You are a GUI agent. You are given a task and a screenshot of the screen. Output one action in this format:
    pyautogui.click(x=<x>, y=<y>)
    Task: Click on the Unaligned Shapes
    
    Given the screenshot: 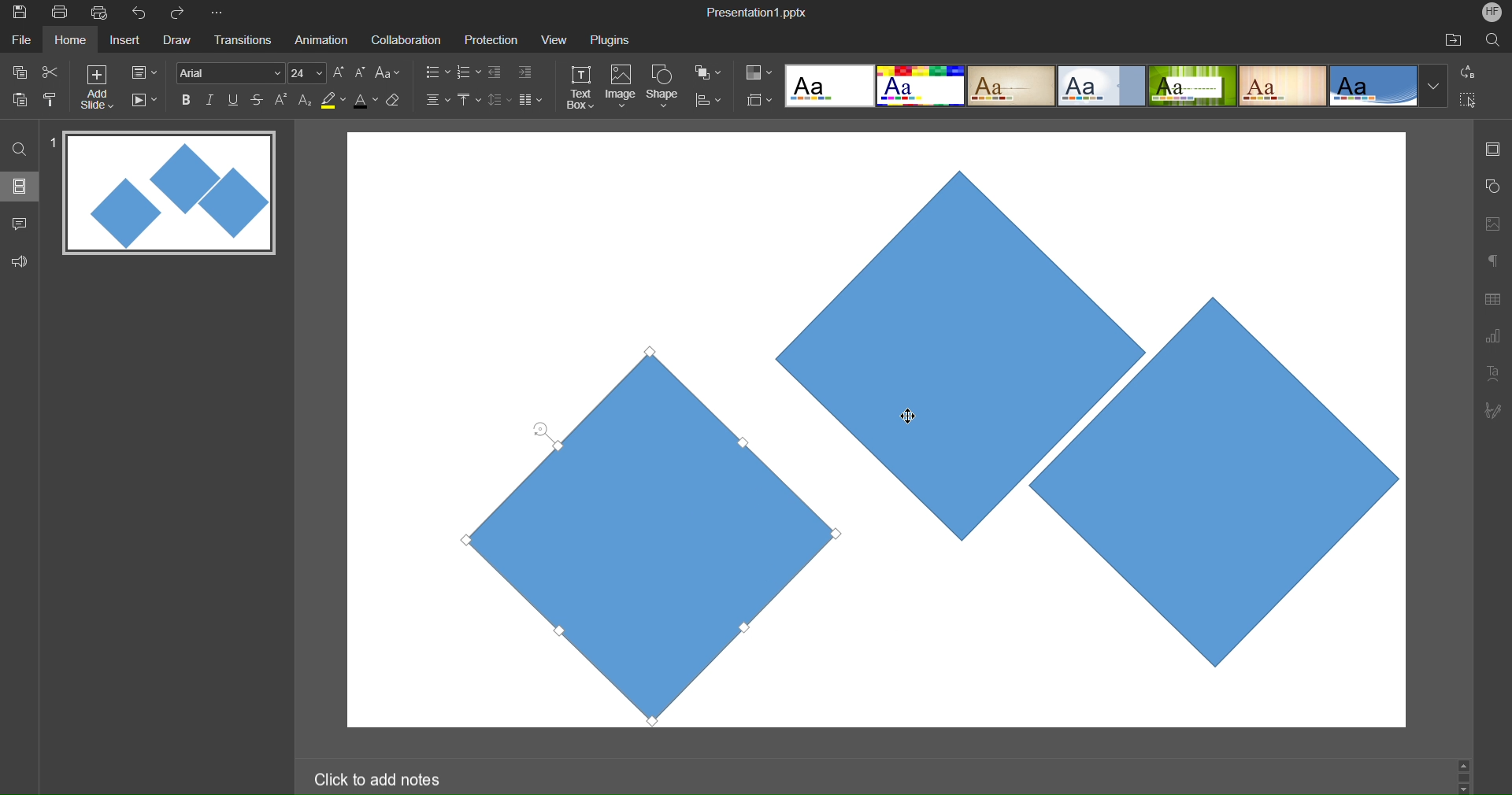 What is the action you would take?
    pyautogui.click(x=1147, y=429)
    